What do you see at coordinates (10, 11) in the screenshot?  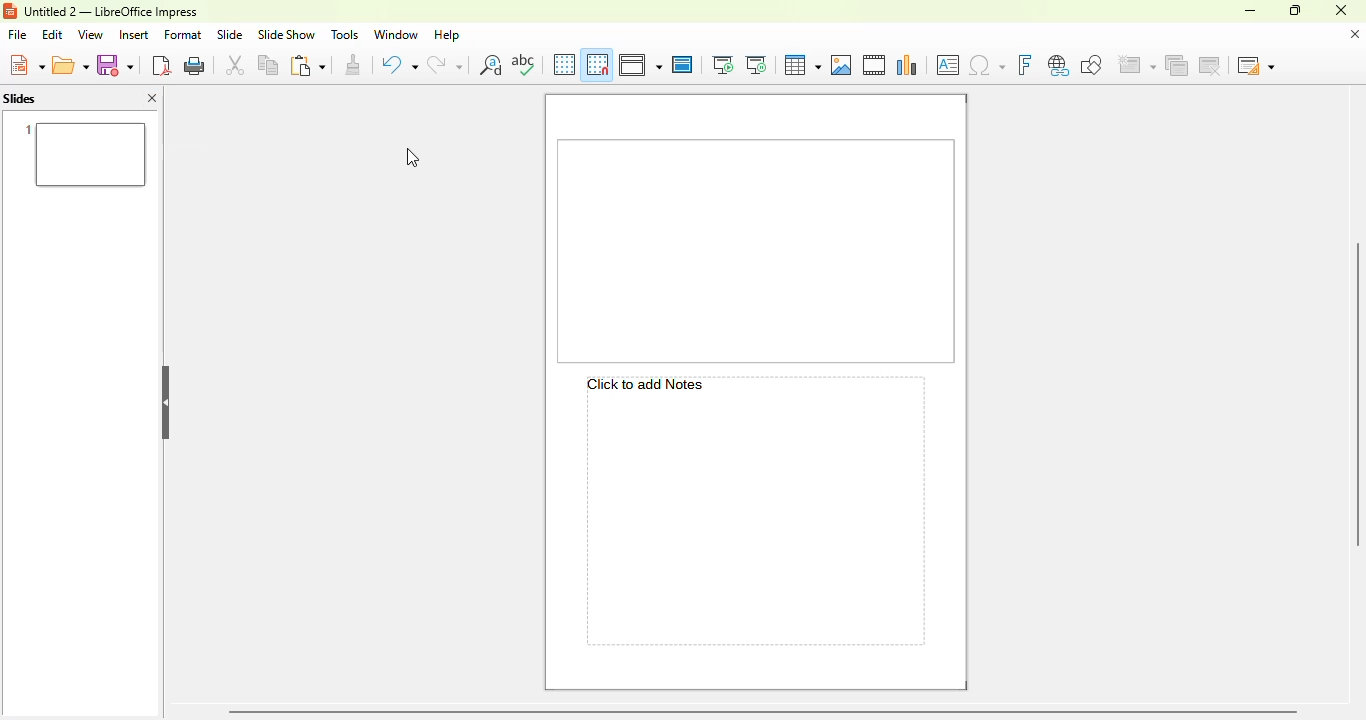 I see `logo` at bounding box center [10, 11].